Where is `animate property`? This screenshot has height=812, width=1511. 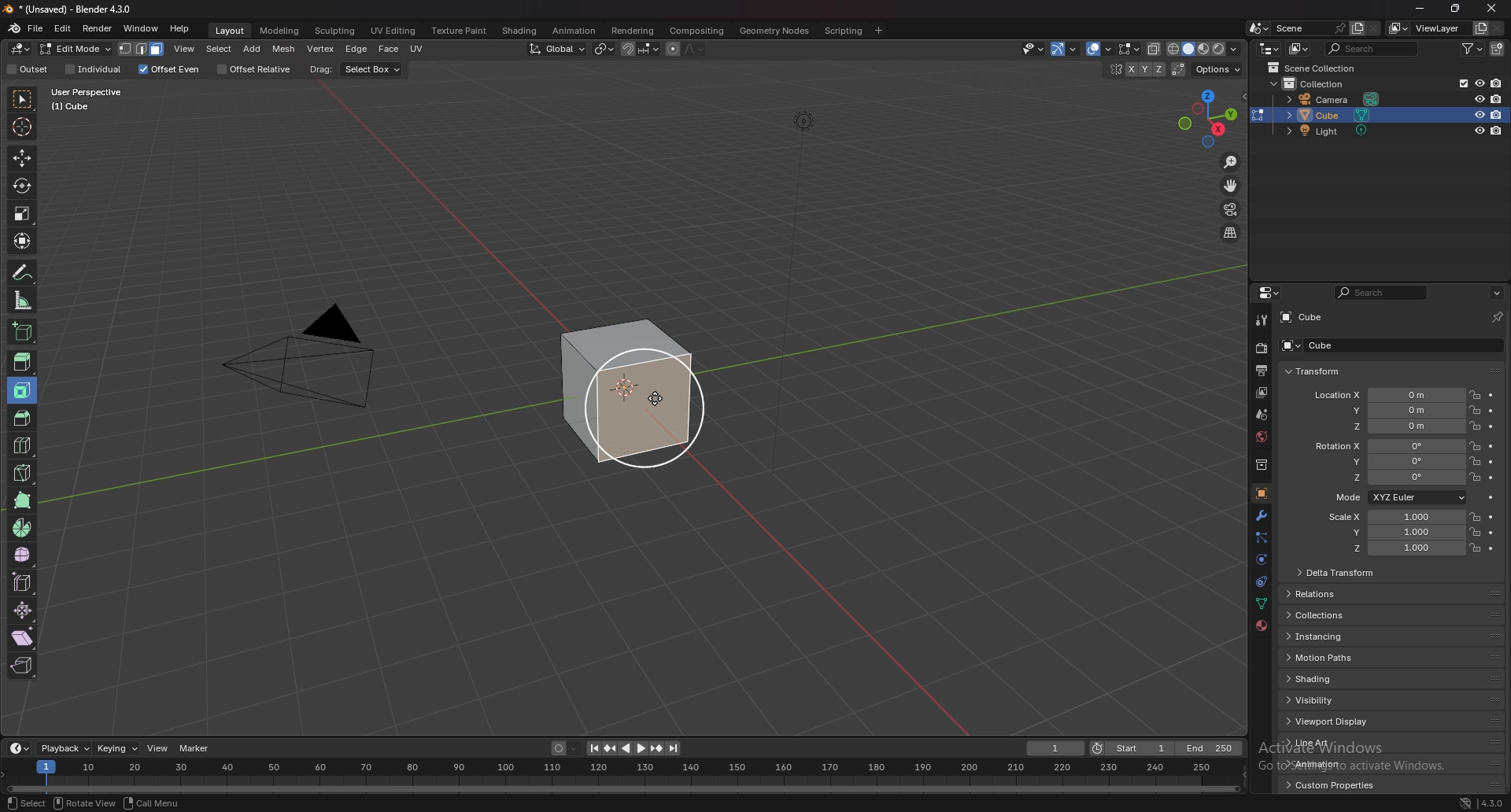
animate property is located at coordinates (1493, 549).